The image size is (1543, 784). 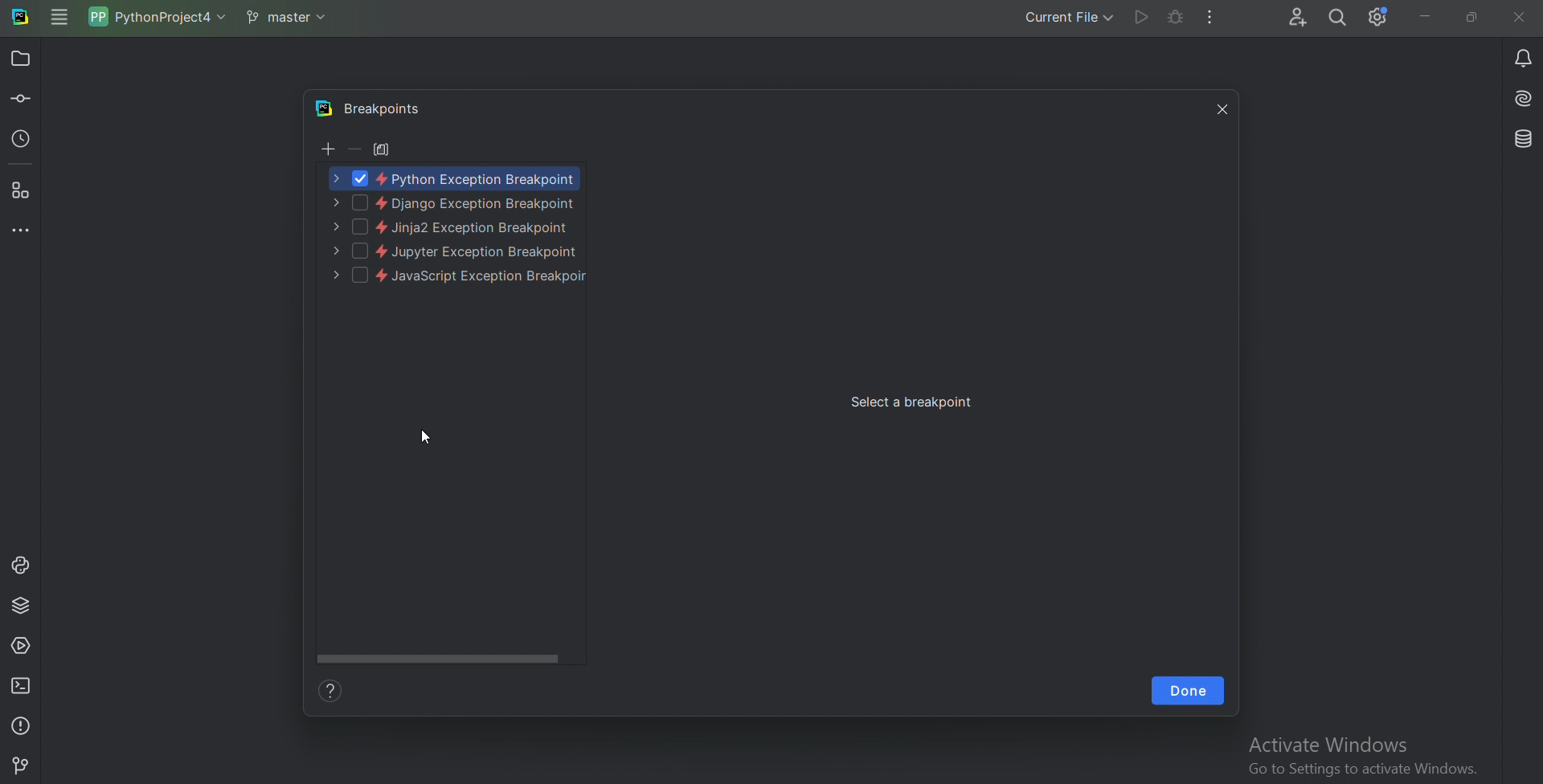 What do you see at coordinates (1521, 99) in the screenshot?
I see `Install AI Assistant` at bounding box center [1521, 99].